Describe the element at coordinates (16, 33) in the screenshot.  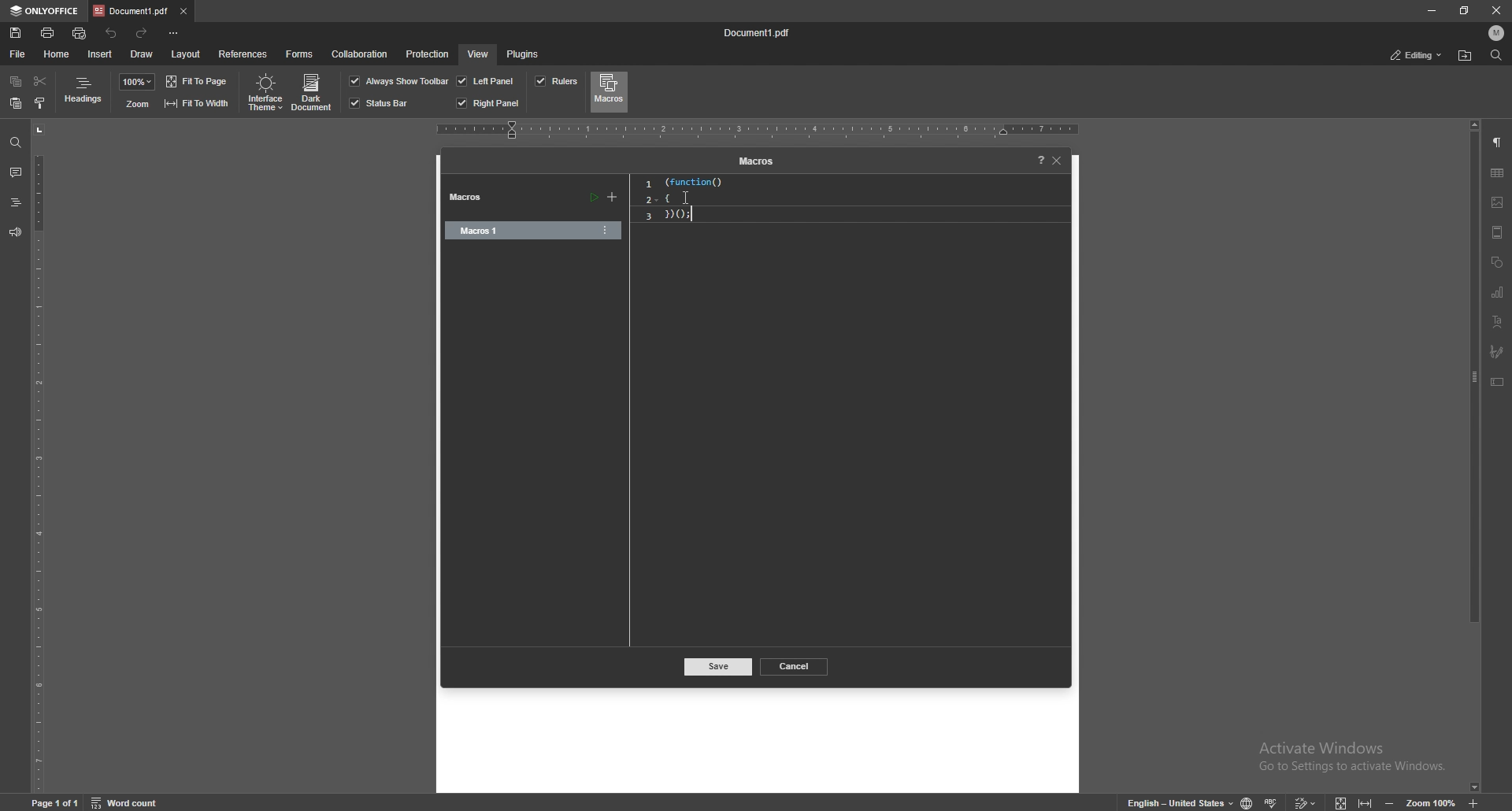
I see `save` at that location.